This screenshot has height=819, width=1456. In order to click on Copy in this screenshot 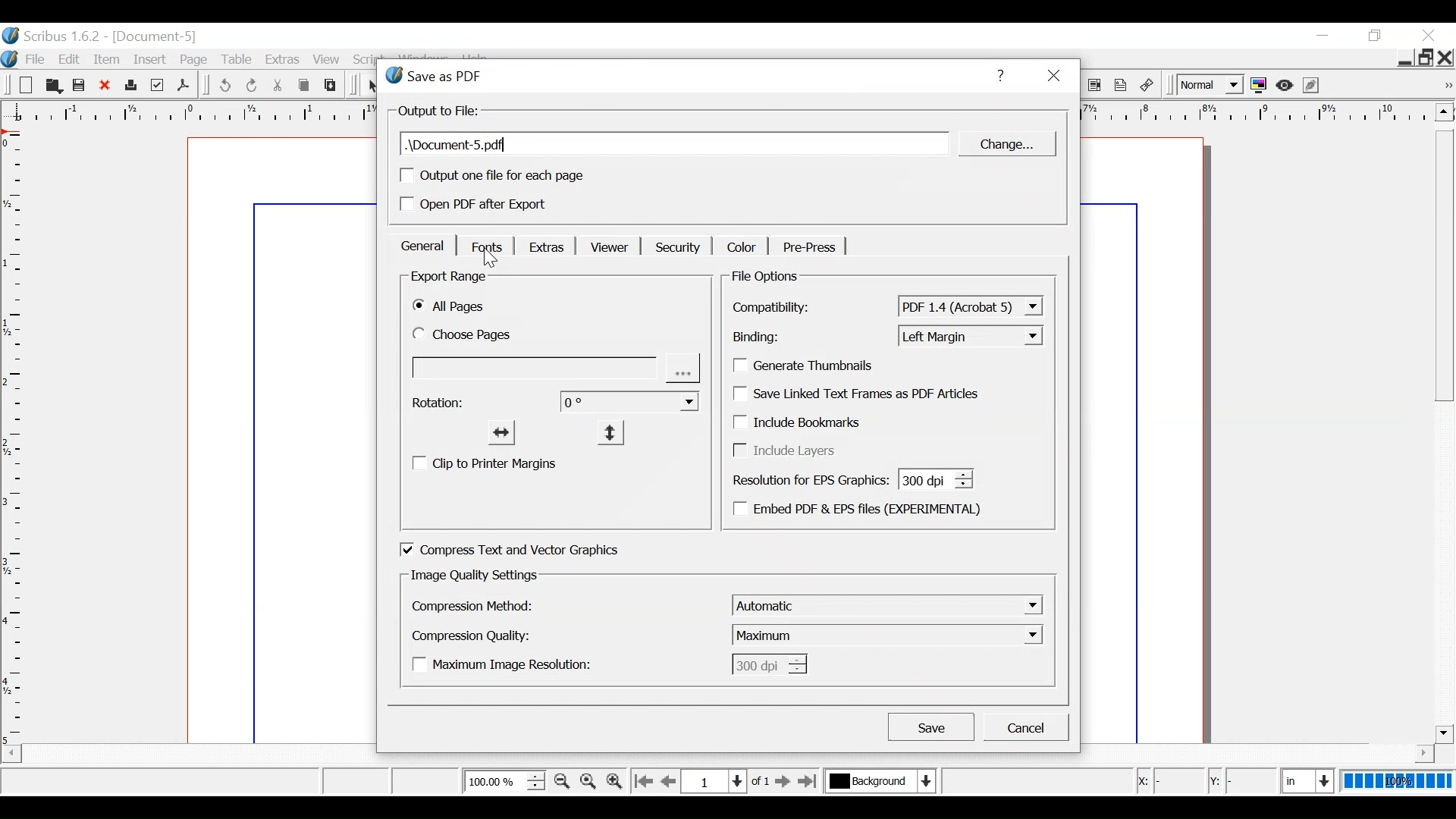, I will do `click(306, 86)`.